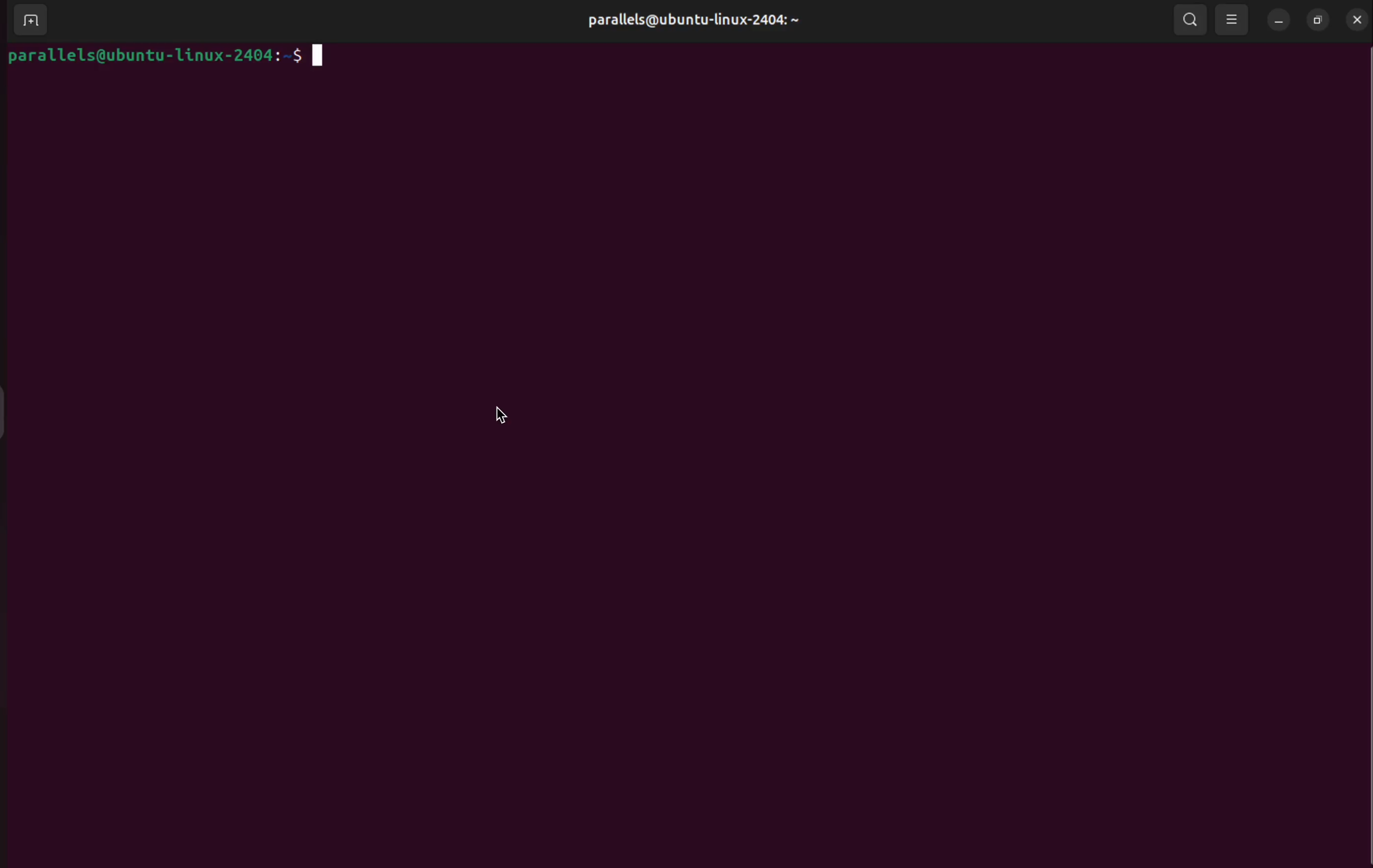  I want to click on close, so click(1357, 17).